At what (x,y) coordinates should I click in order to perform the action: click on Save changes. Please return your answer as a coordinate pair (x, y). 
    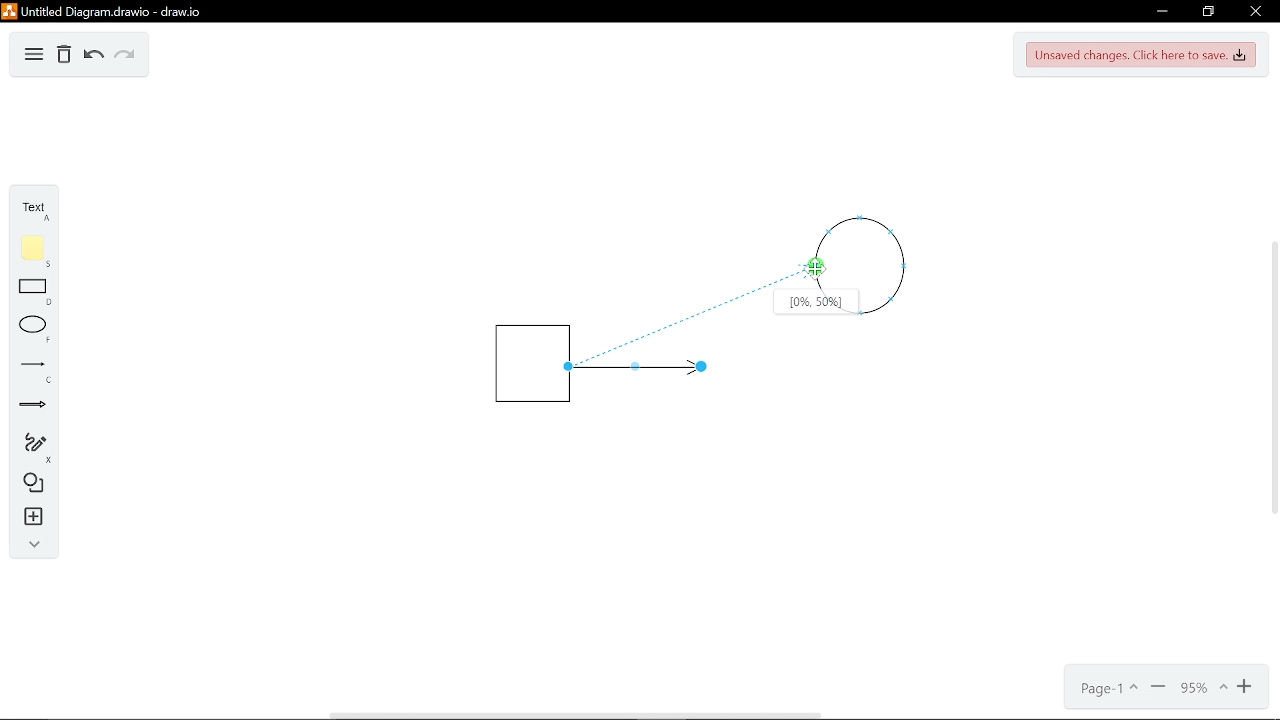
    Looking at the image, I should click on (1141, 54).